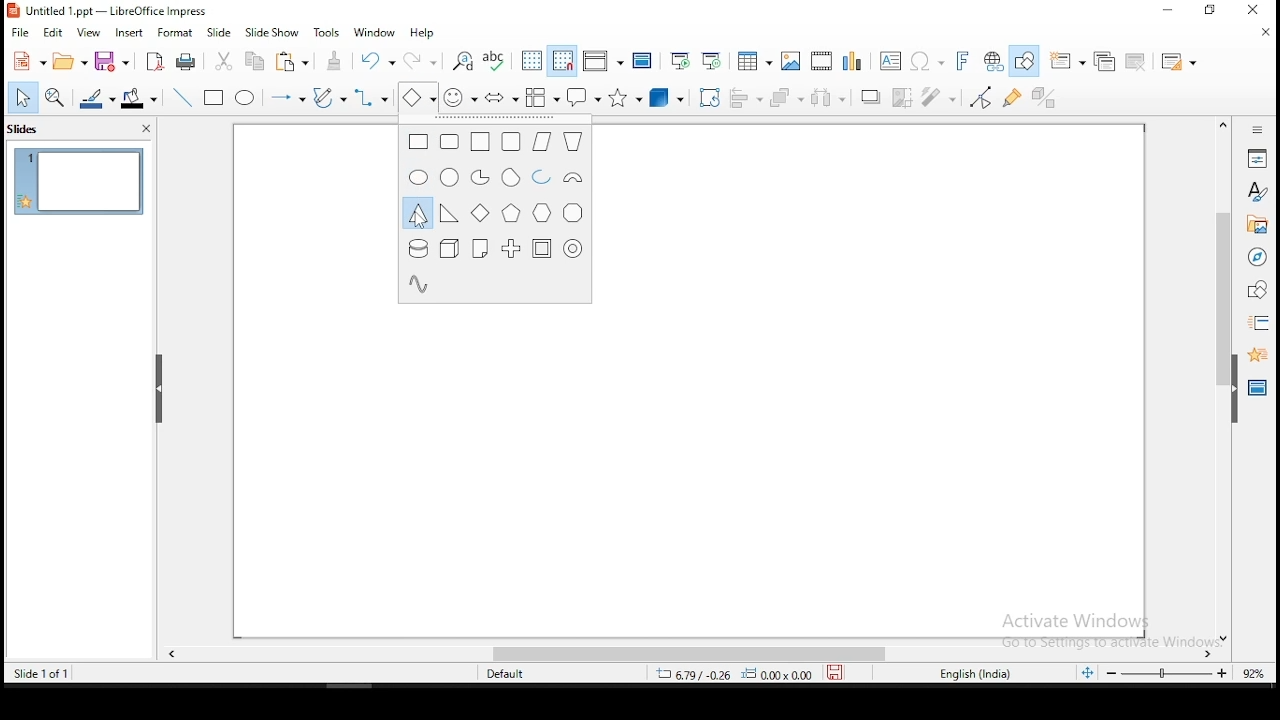  Describe the element at coordinates (464, 60) in the screenshot. I see `find and replace` at that location.